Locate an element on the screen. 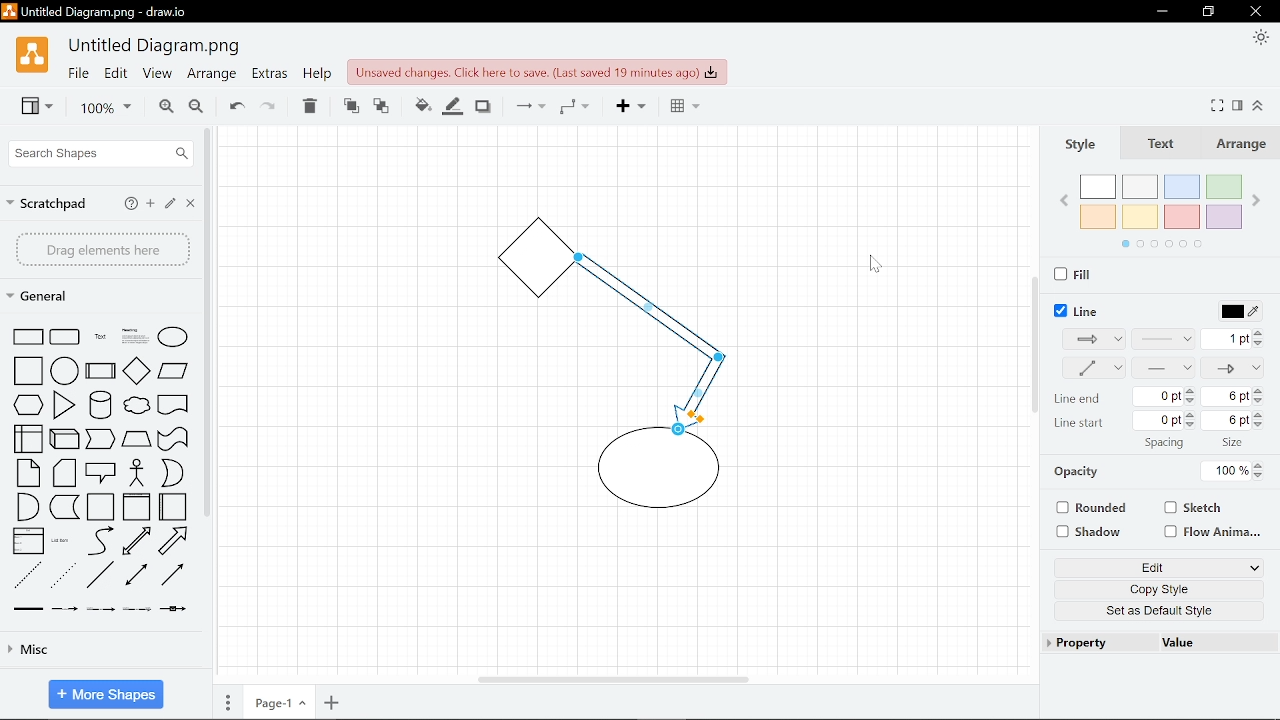 Image resolution: width=1280 pixels, height=720 pixels. Misc is located at coordinates (102, 653).